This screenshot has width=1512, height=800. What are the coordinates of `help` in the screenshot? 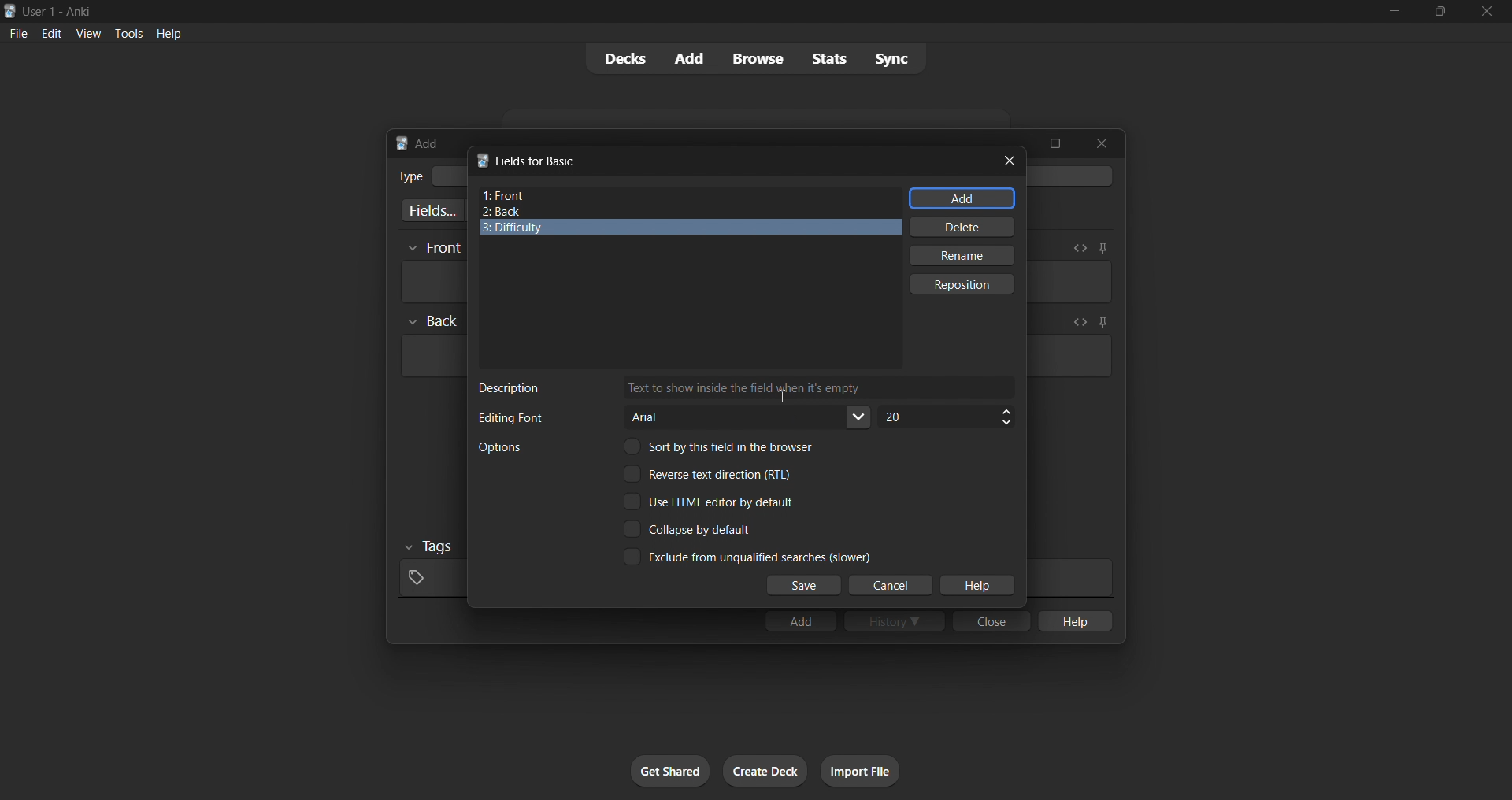 It's located at (976, 586).